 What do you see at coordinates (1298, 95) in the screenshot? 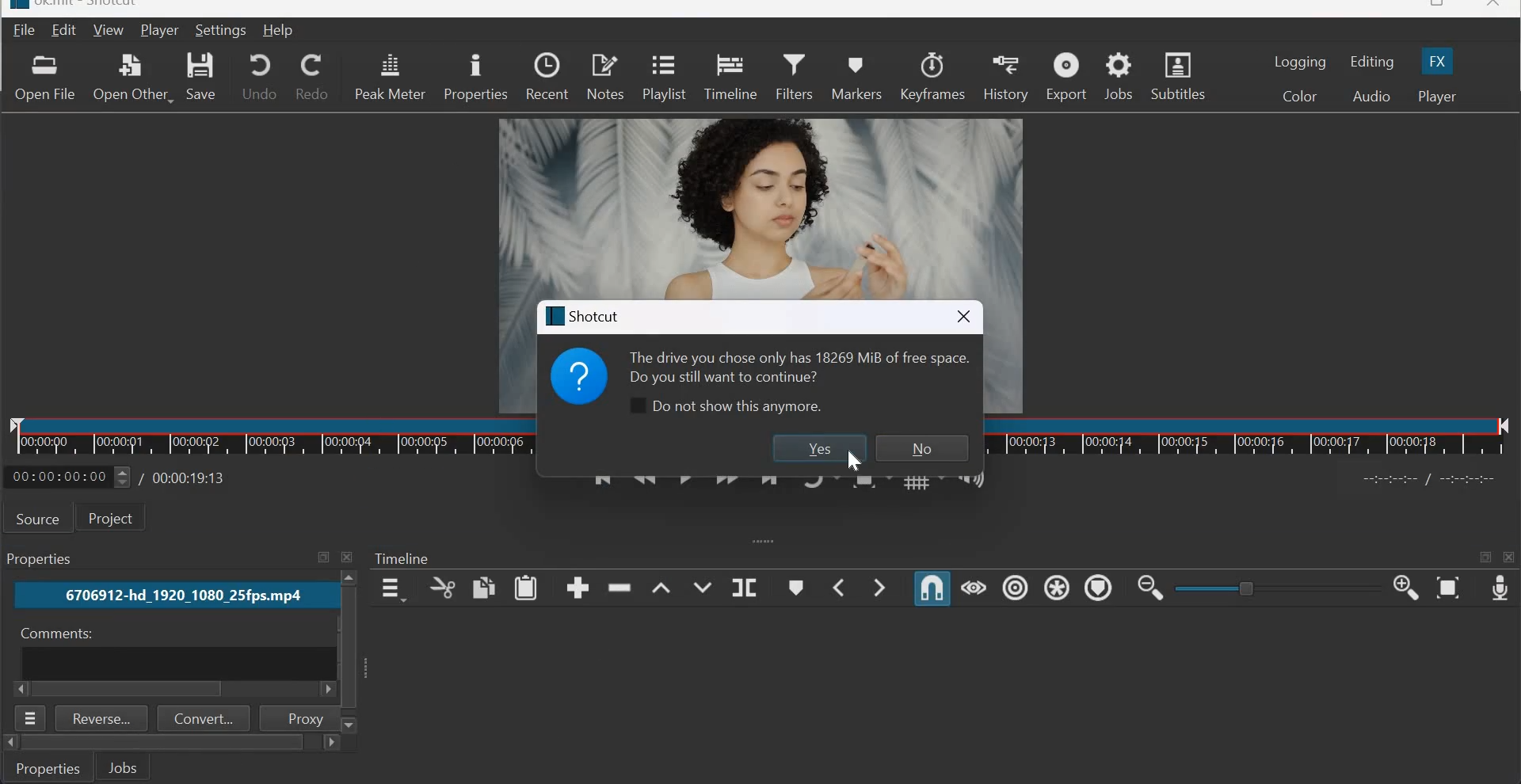
I see `Color` at bounding box center [1298, 95].